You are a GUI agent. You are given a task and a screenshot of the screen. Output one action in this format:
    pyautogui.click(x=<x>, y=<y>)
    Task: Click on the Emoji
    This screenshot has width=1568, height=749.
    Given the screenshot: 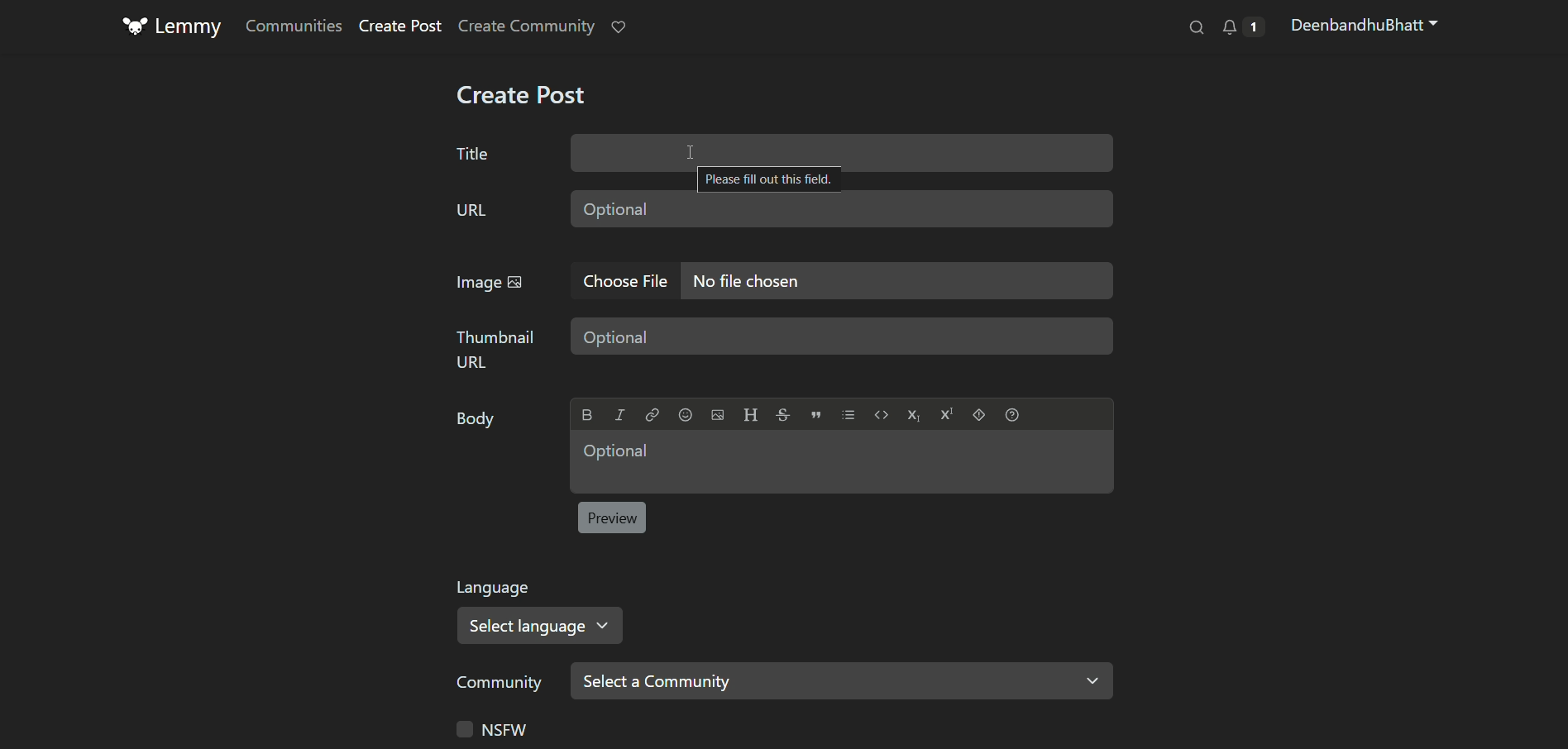 What is the action you would take?
    pyautogui.click(x=685, y=415)
    